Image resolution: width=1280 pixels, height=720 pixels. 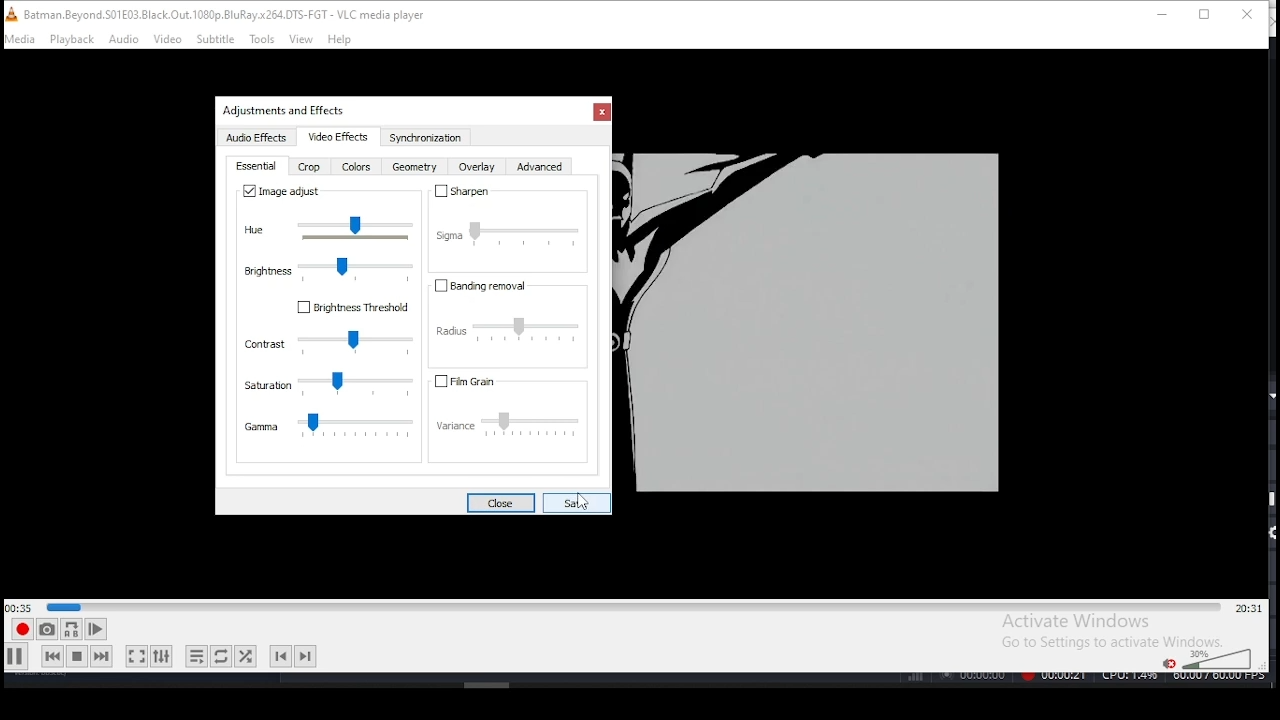 I want to click on close, so click(x=499, y=501).